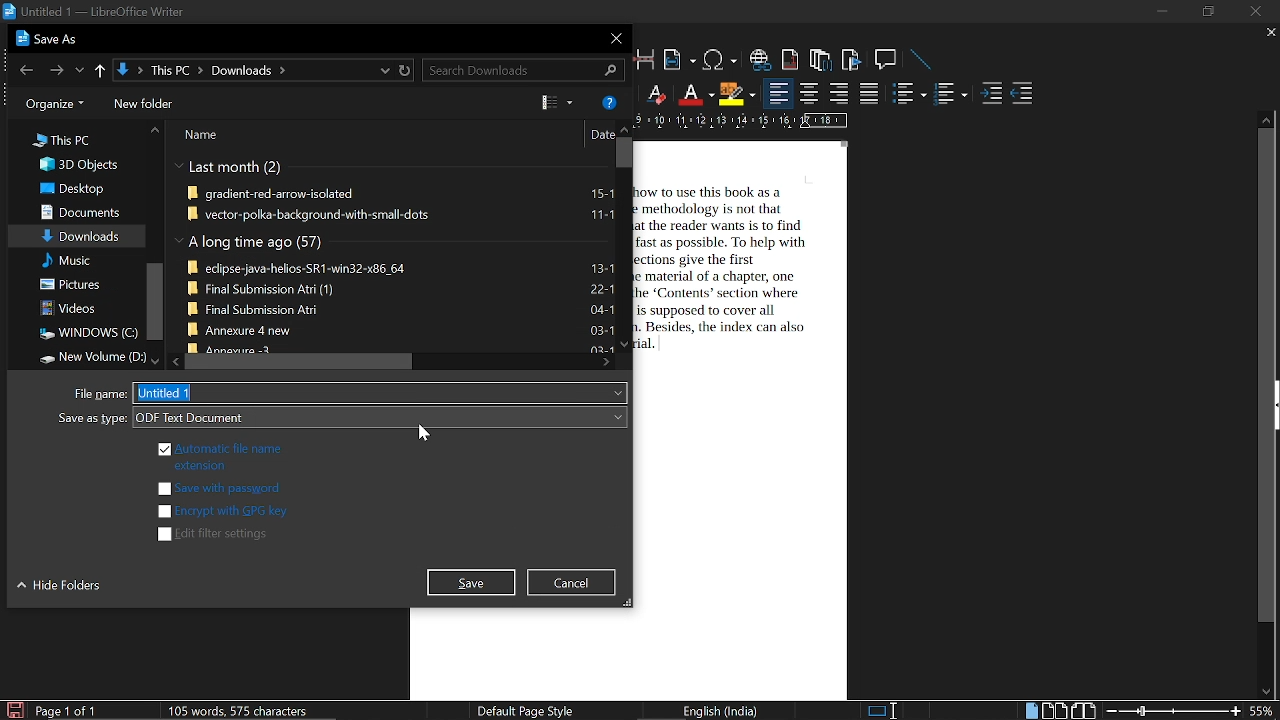 Image resolution: width=1280 pixels, height=720 pixels. Describe the element at coordinates (779, 93) in the screenshot. I see `align left` at that location.